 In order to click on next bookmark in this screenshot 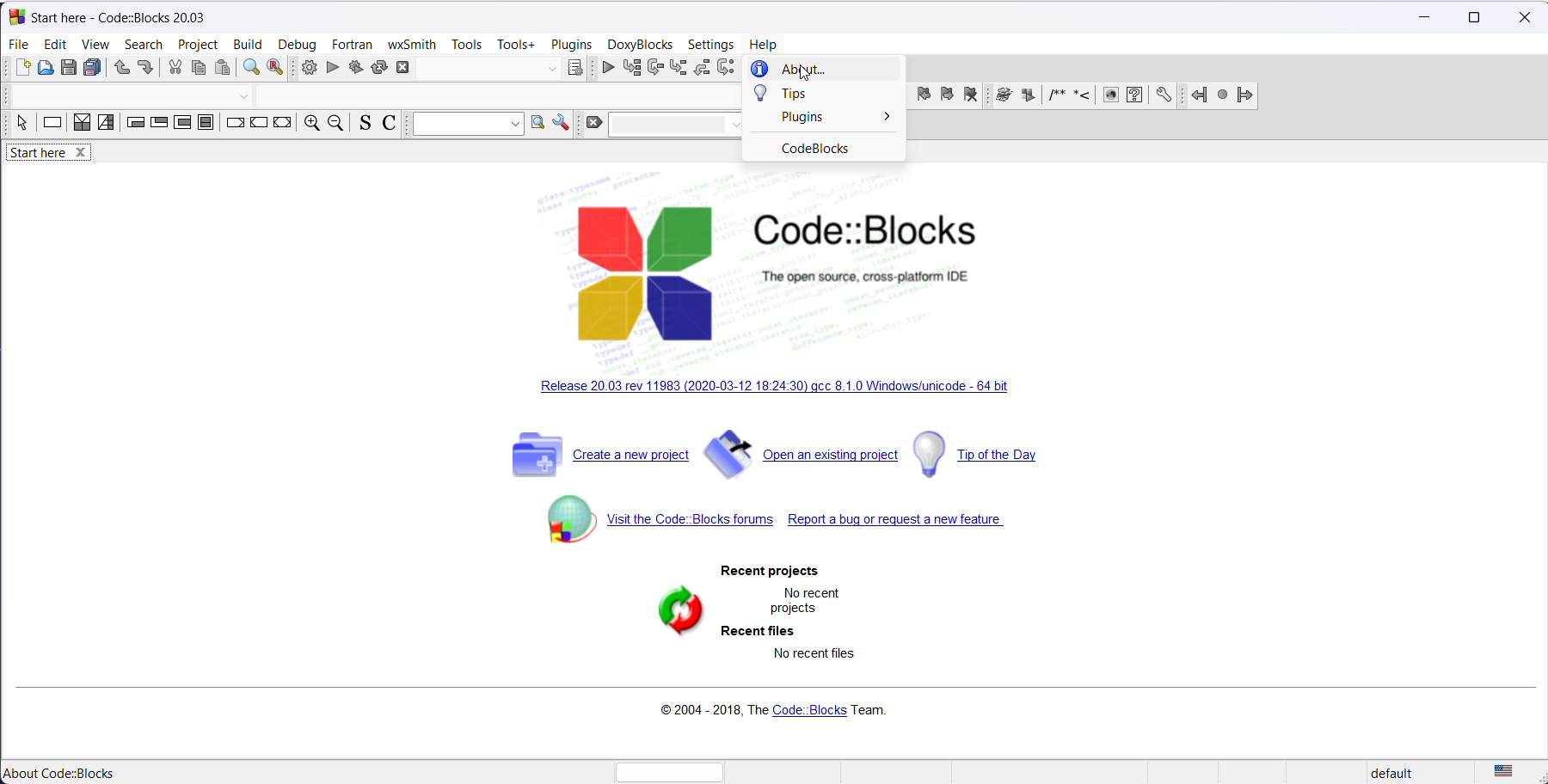, I will do `click(947, 95)`.